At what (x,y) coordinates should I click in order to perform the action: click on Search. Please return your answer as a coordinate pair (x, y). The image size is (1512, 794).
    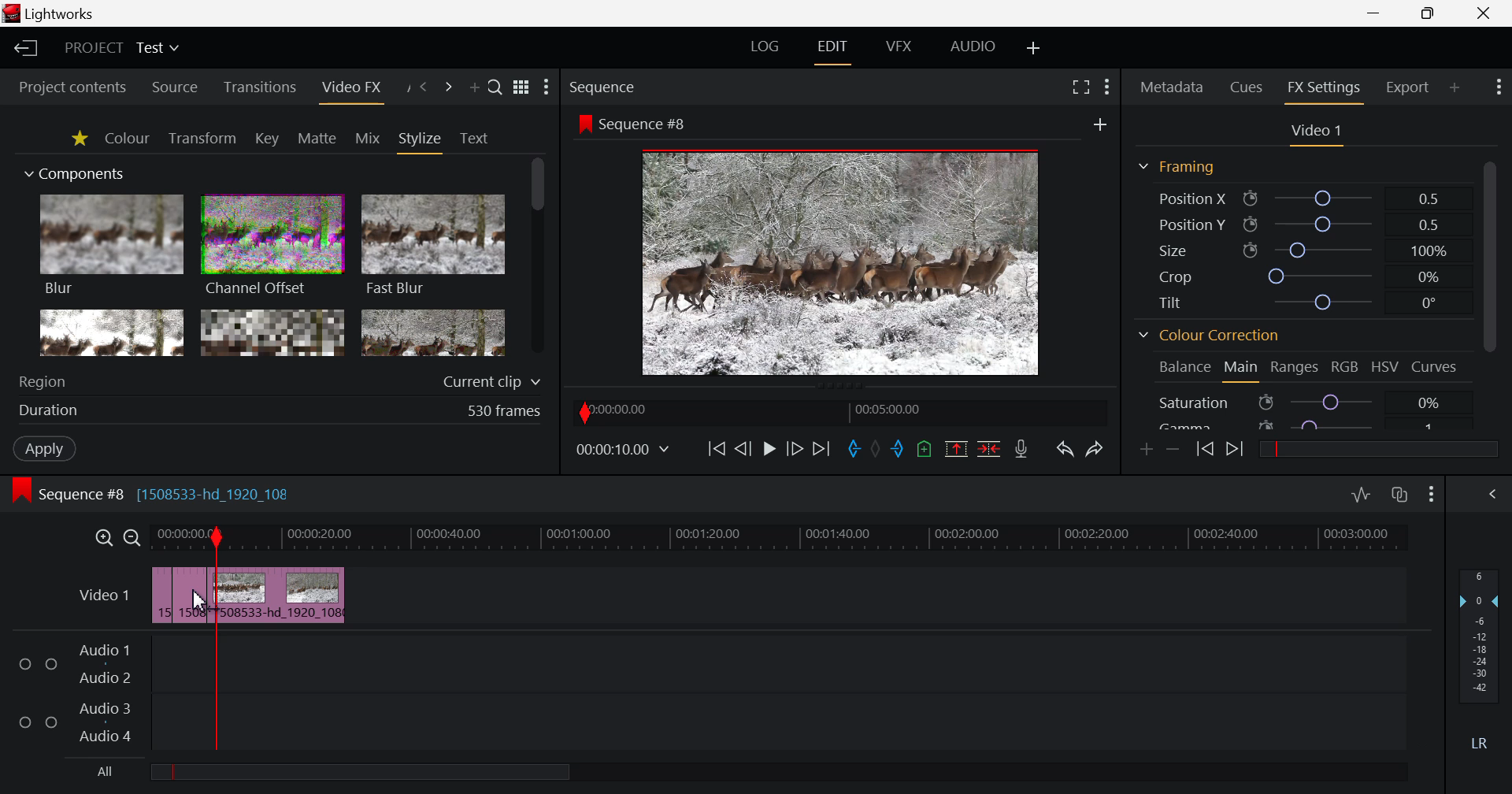
    Looking at the image, I should click on (496, 88).